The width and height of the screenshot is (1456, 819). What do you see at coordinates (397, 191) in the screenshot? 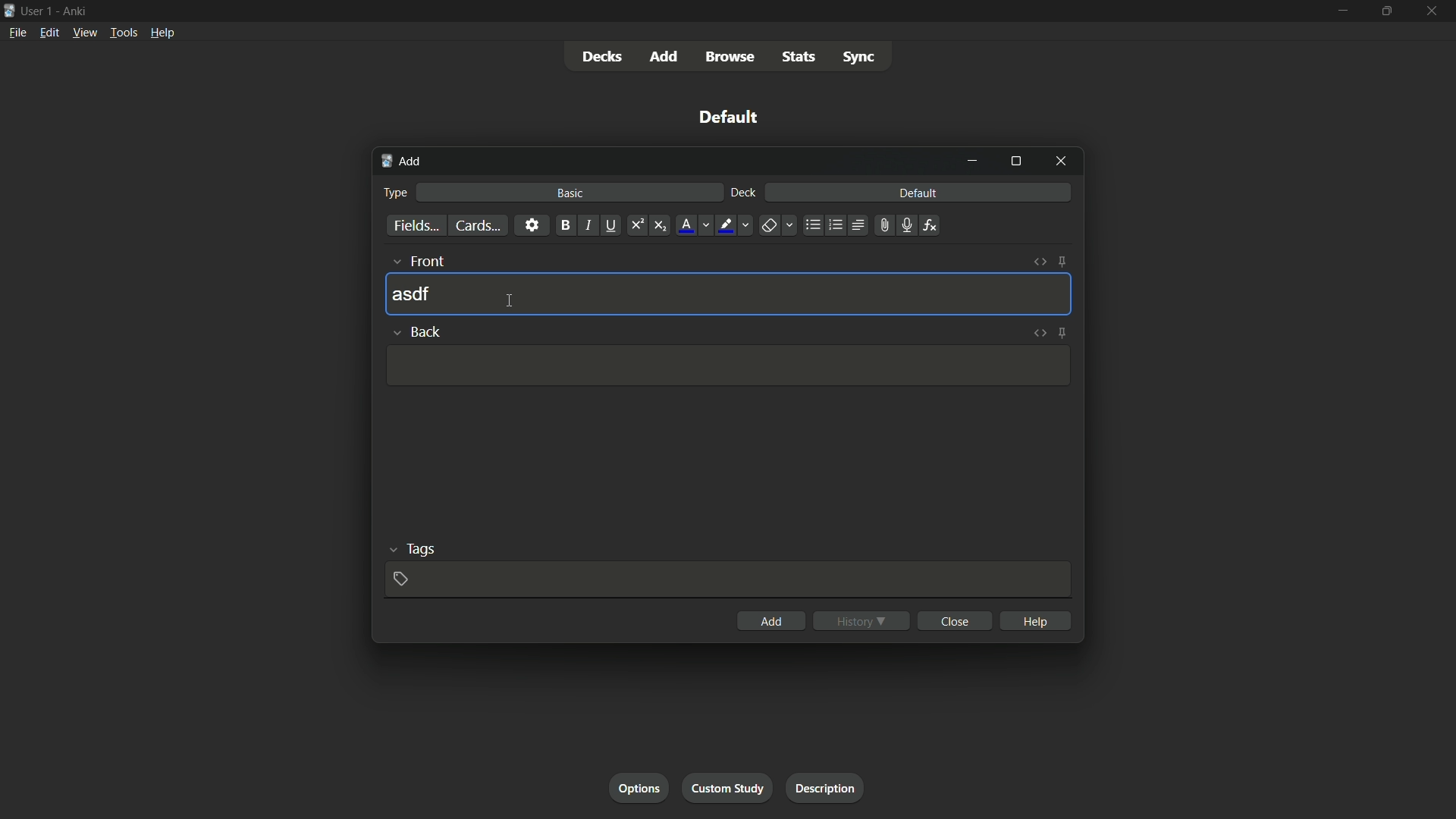
I see `type` at bounding box center [397, 191].